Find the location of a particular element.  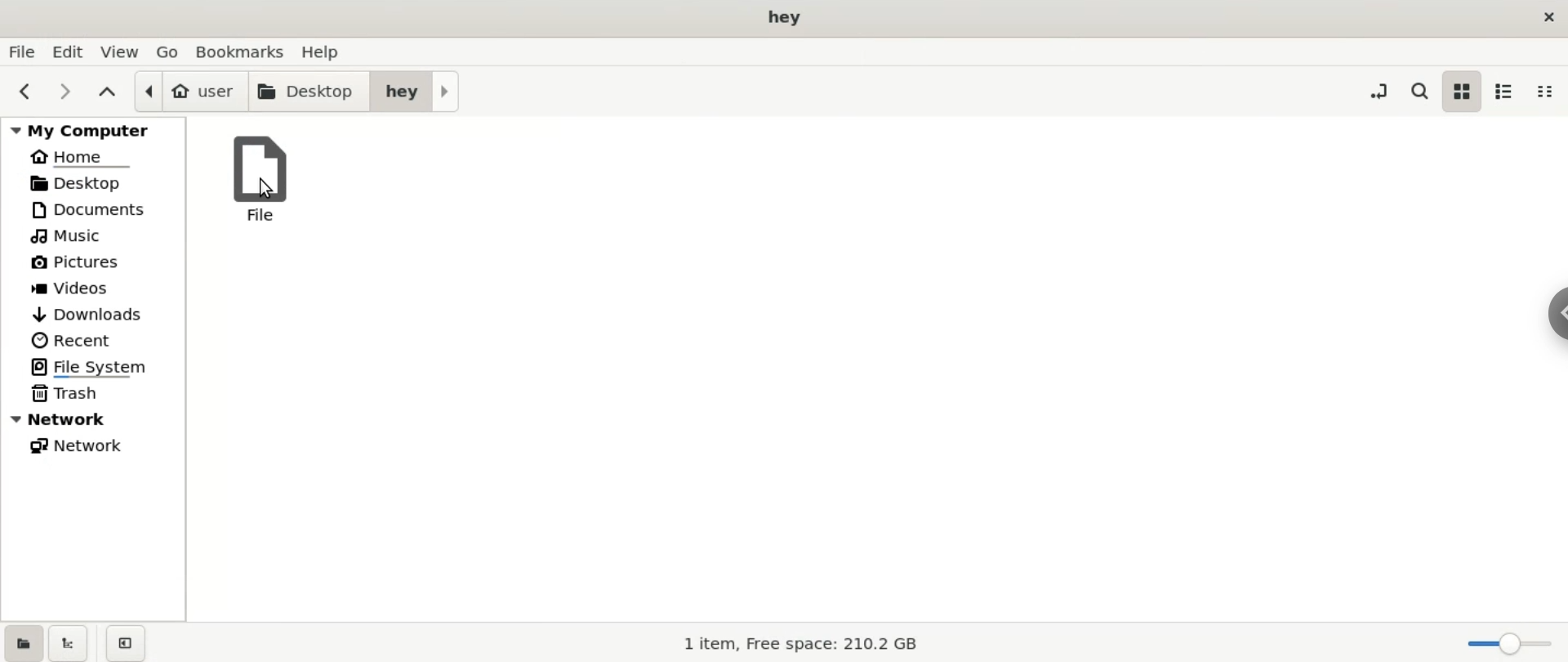

desktop is located at coordinates (310, 92).